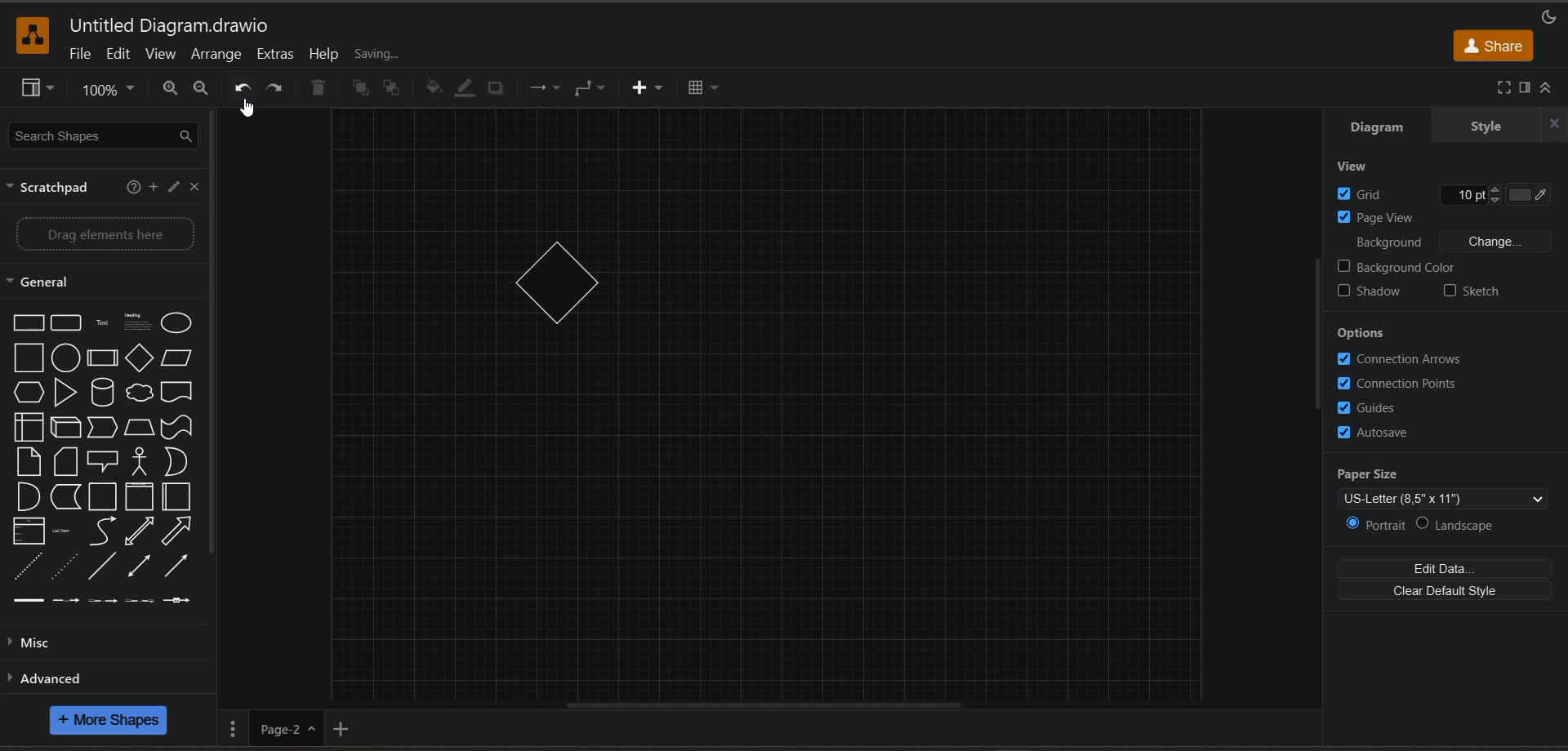 The image size is (1568, 751). I want to click on Or, so click(178, 462).